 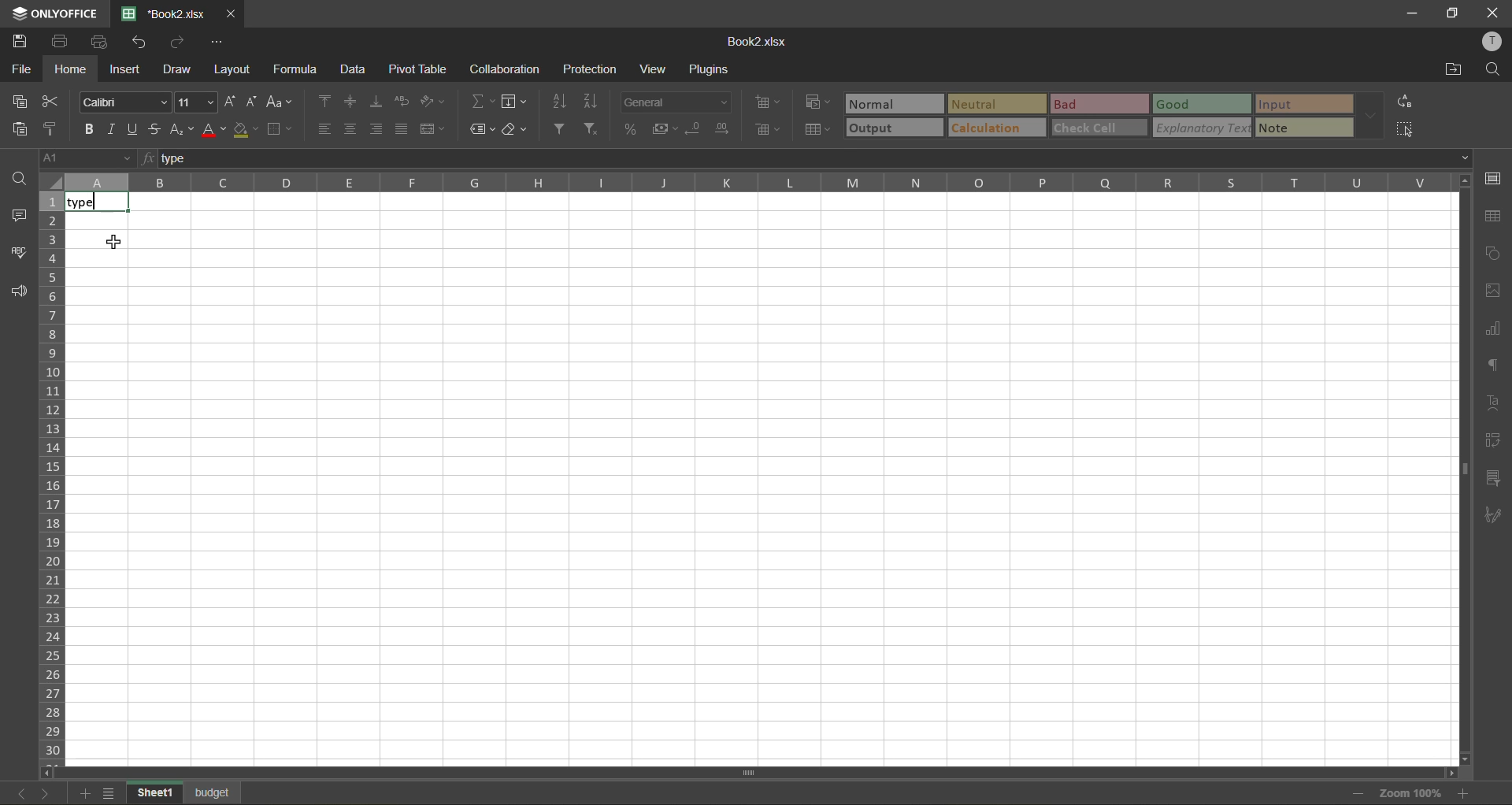 I want to click on fields, so click(x=513, y=102).